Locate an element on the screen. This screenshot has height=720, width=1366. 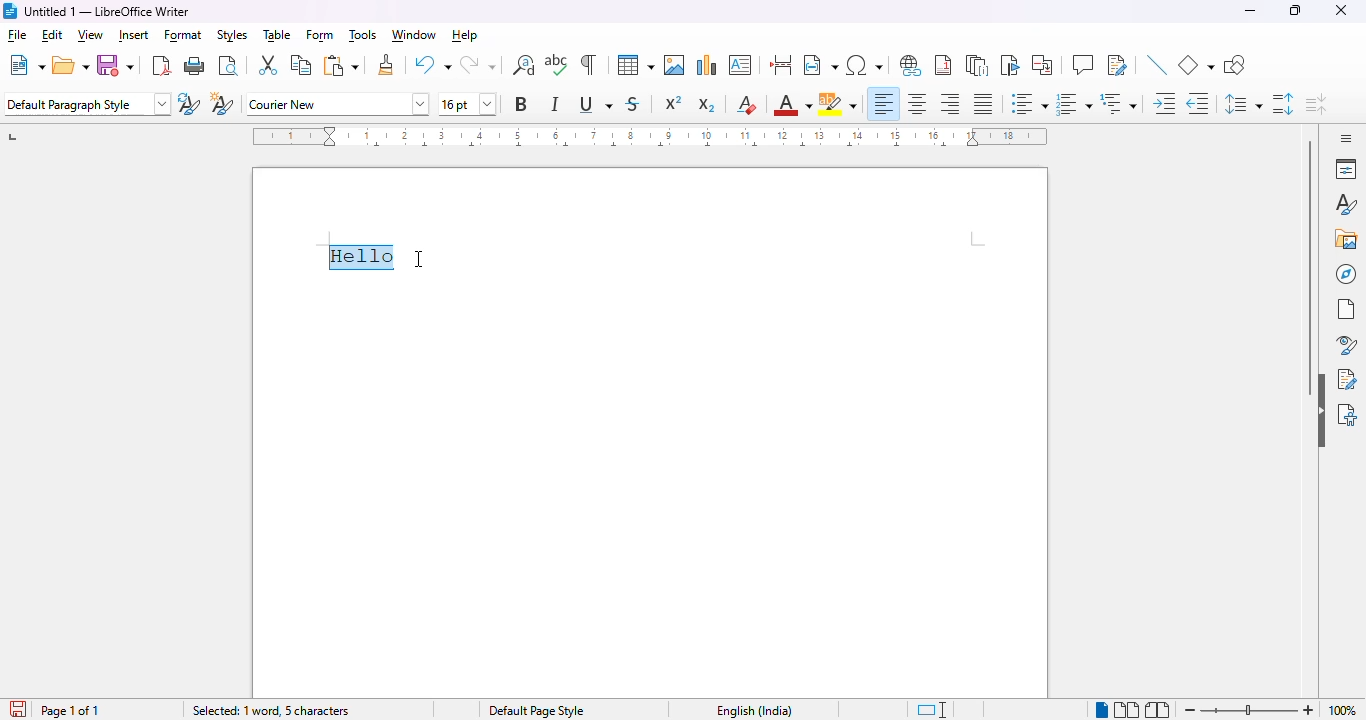
default page style is located at coordinates (538, 711).